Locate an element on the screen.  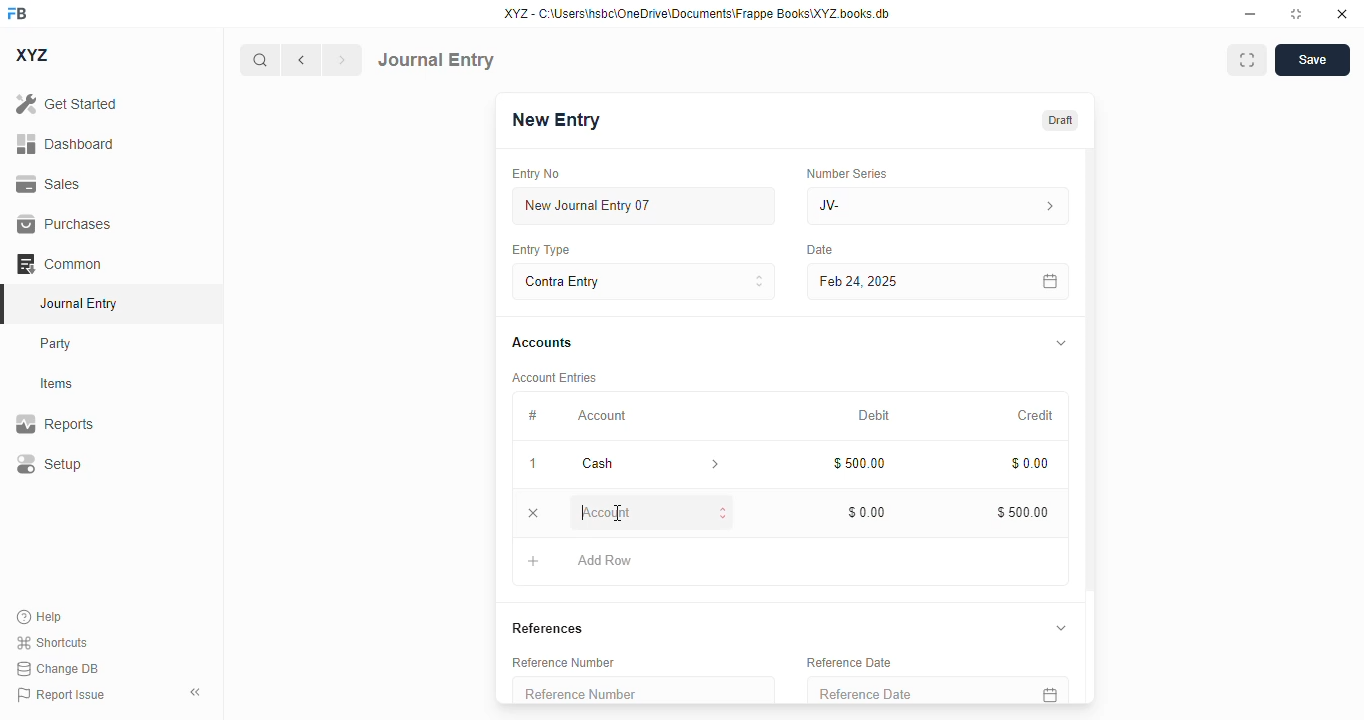
reference number is located at coordinates (645, 690).